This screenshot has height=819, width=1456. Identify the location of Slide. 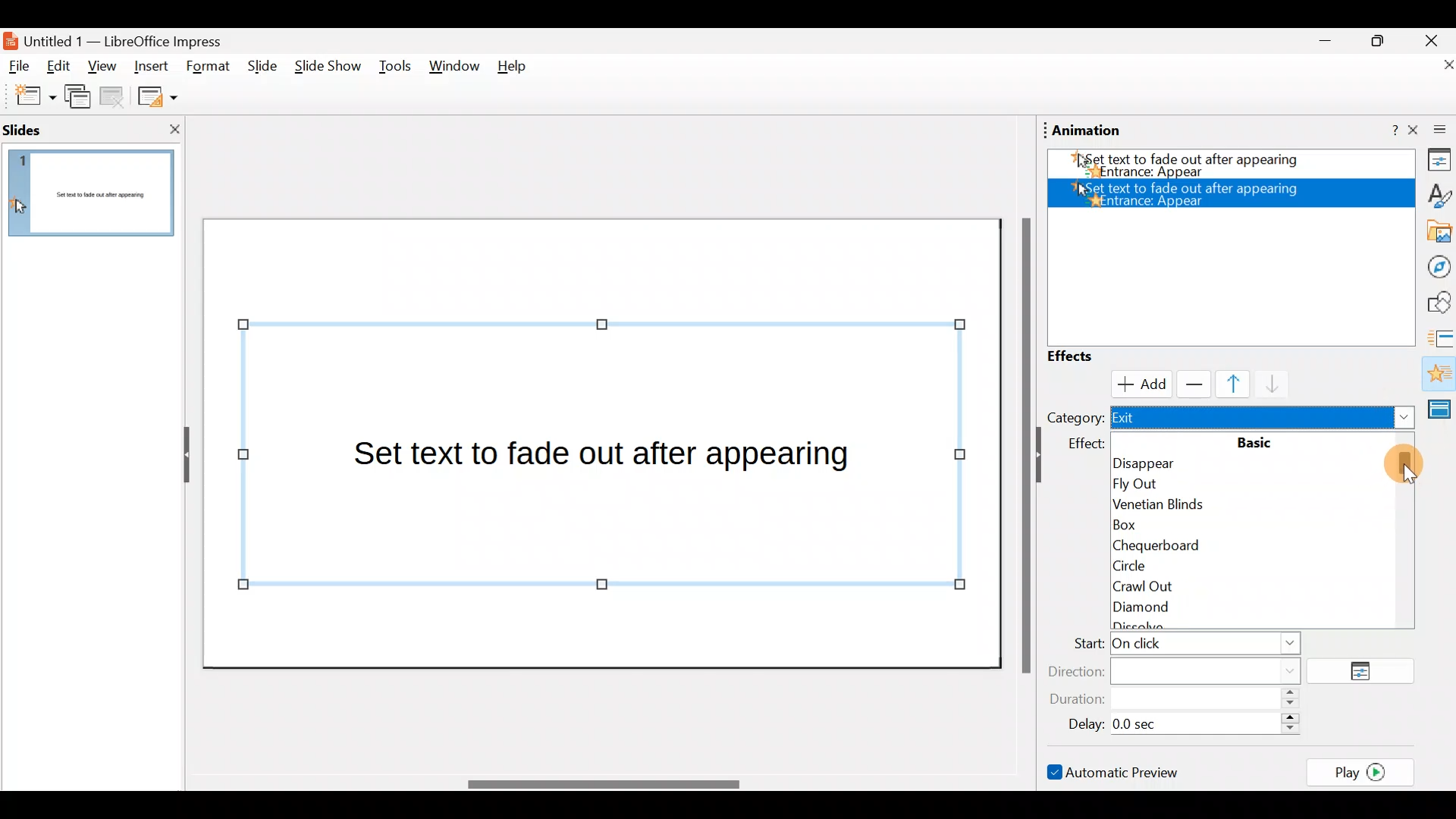
(259, 67).